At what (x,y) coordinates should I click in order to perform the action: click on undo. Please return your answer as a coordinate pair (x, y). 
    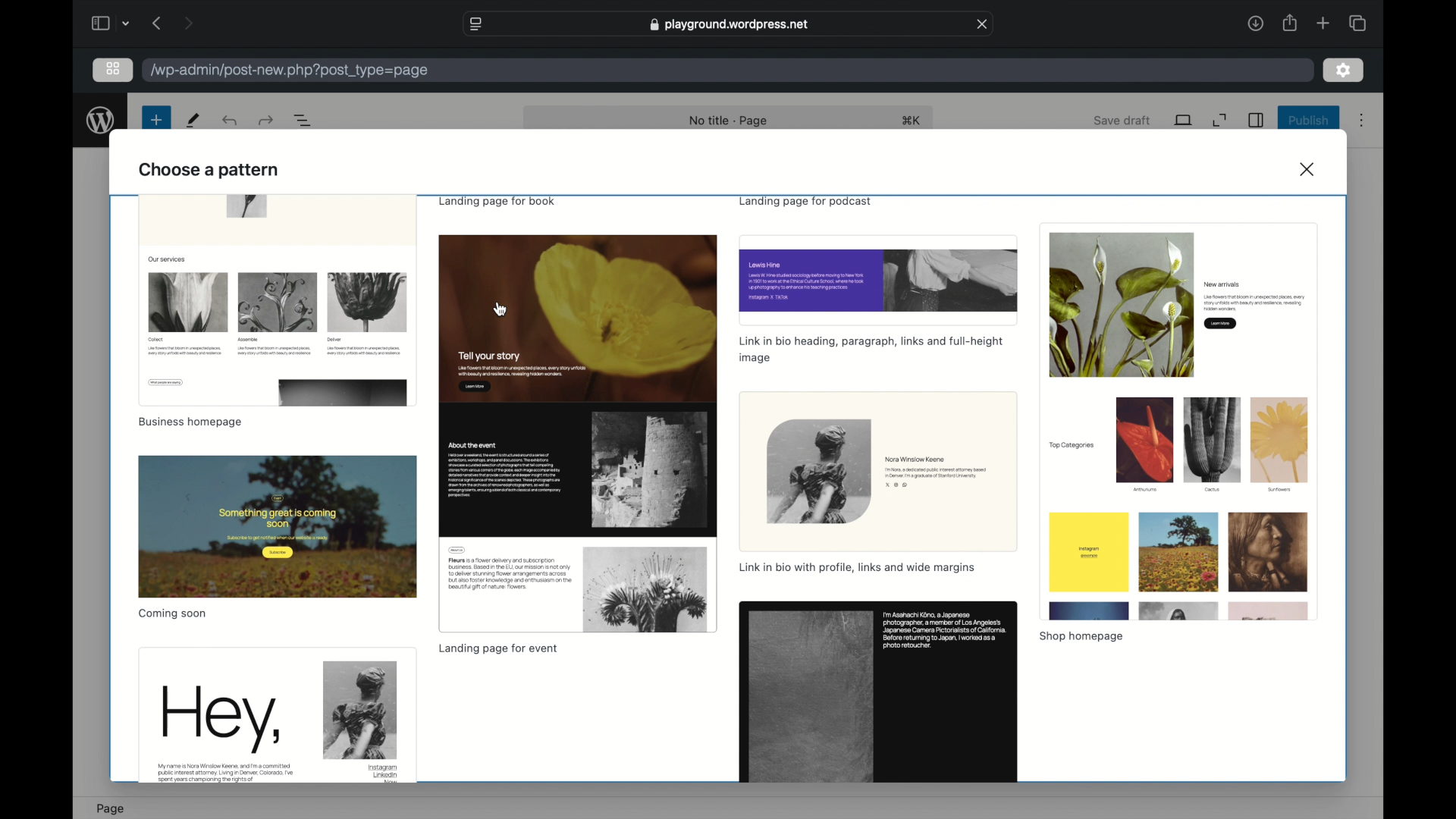
    Looking at the image, I should click on (265, 120).